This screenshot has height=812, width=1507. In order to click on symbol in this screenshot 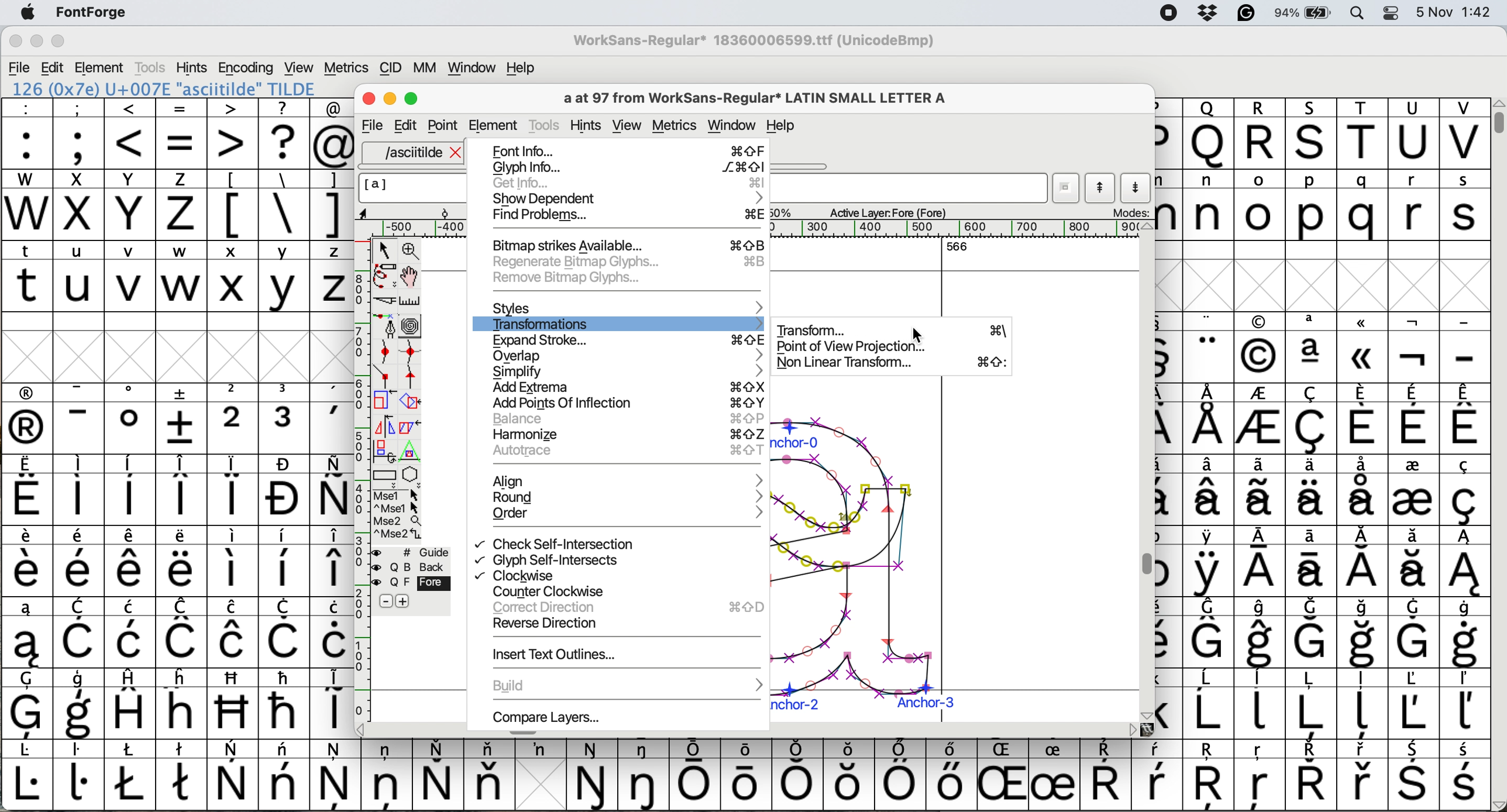, I will do `click(1210, 419)`.